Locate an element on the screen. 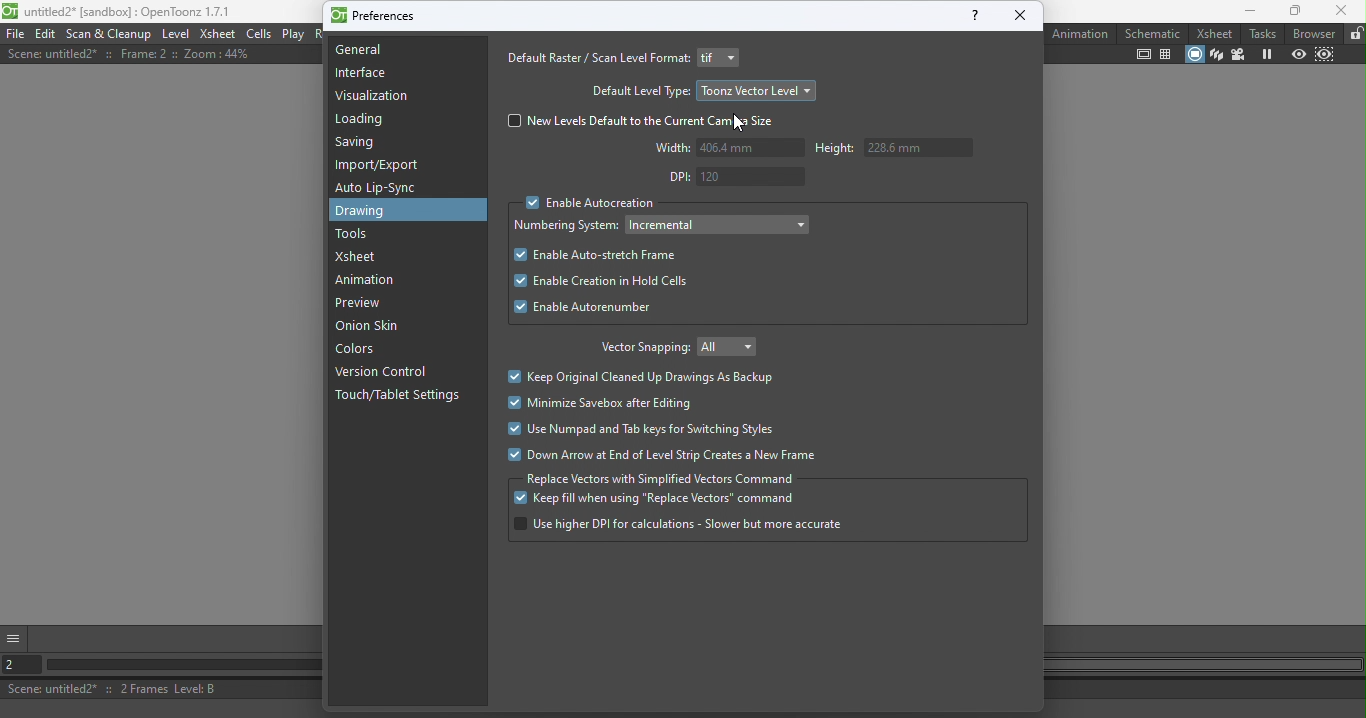 Image resolution: width=1366 pixels, height=718 pixels. Enable auto search frame is located at coordinates (594, 255).